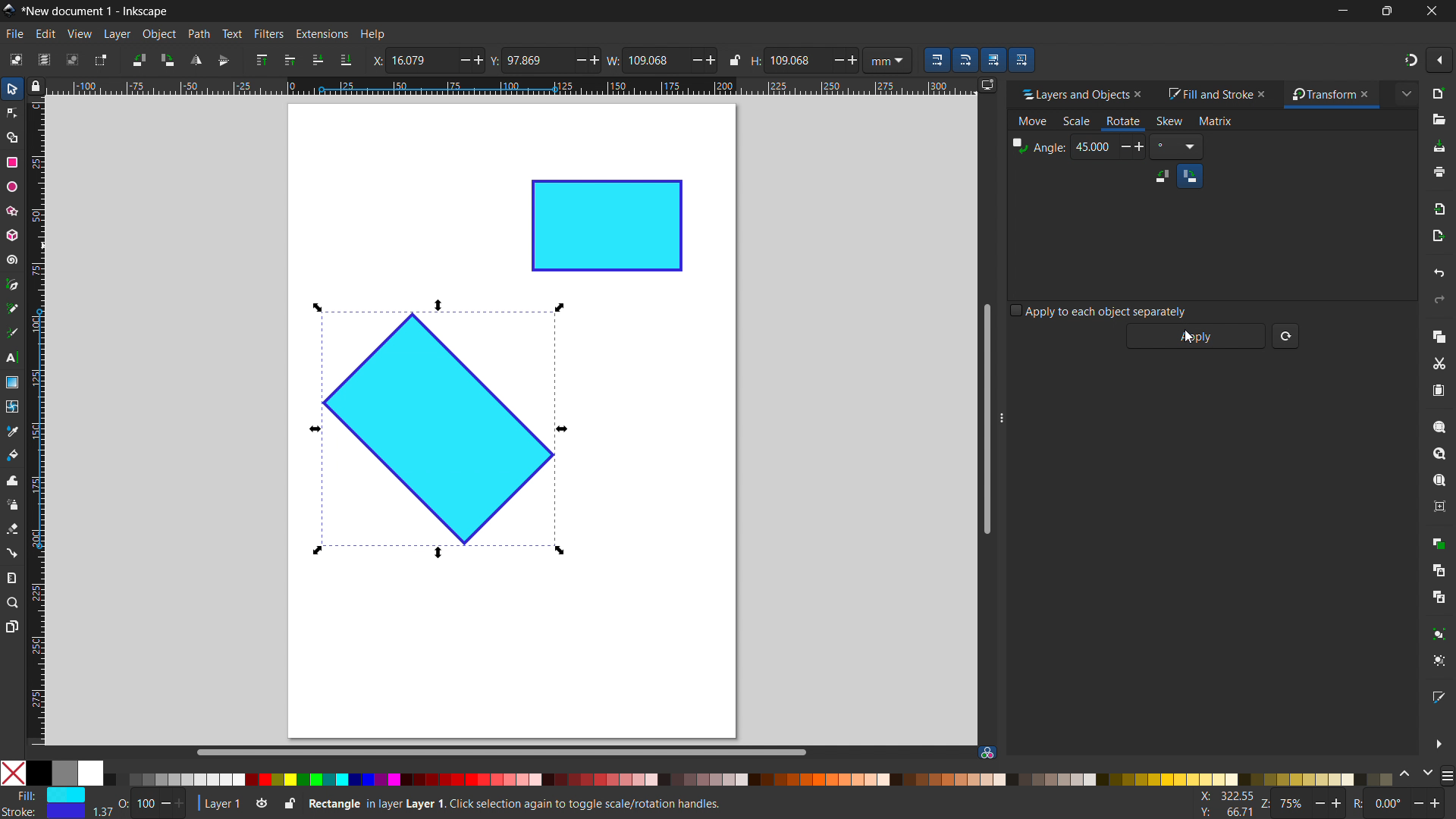 The width and height of the screenshot is (1456, 819). What do you see at coordinates (510, 88) in the screenshot?
I see `horizontal ruler` at bounding box center [510, 88].